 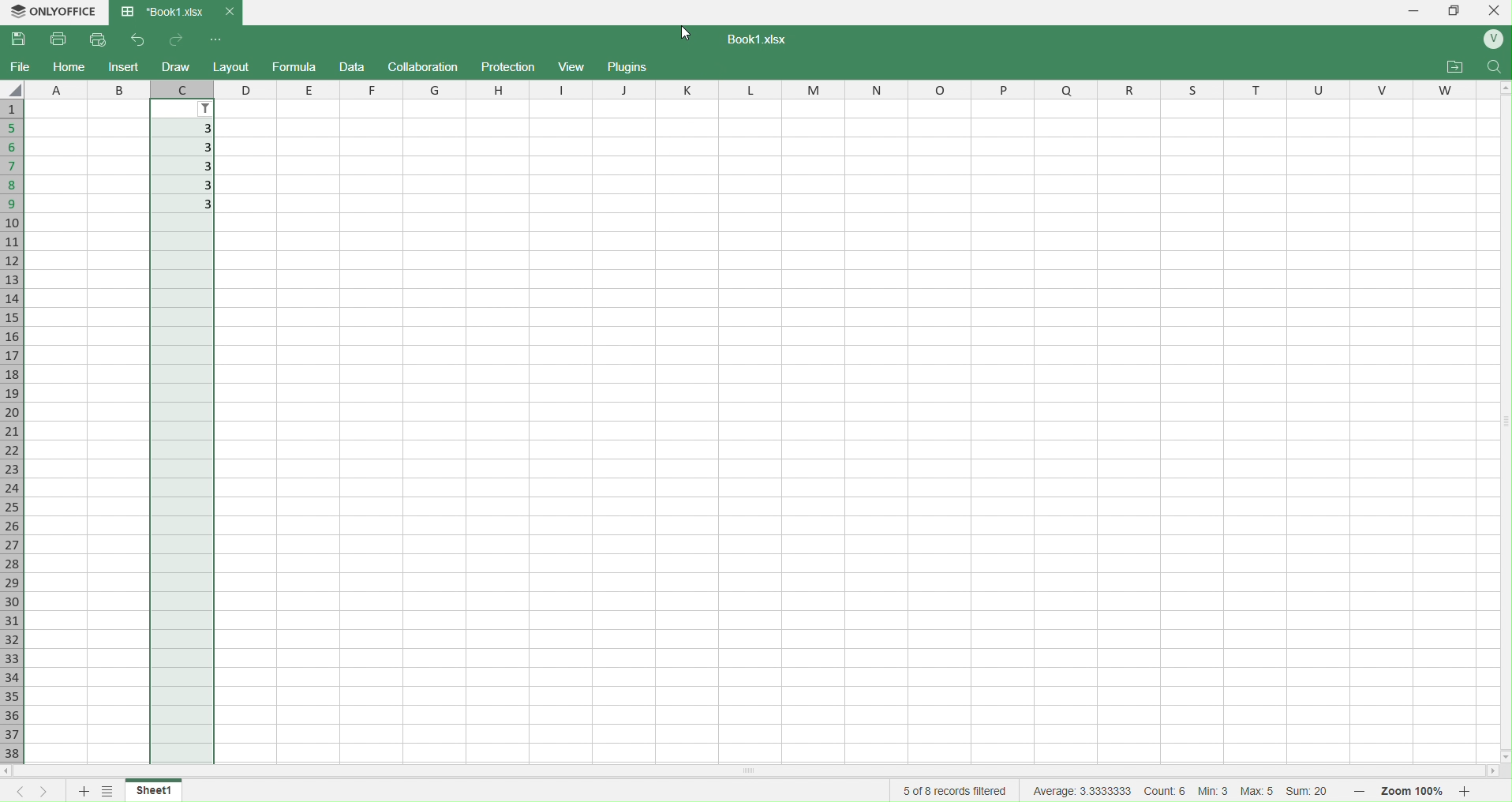 I want to click on 3, so click(x=180, y=204).